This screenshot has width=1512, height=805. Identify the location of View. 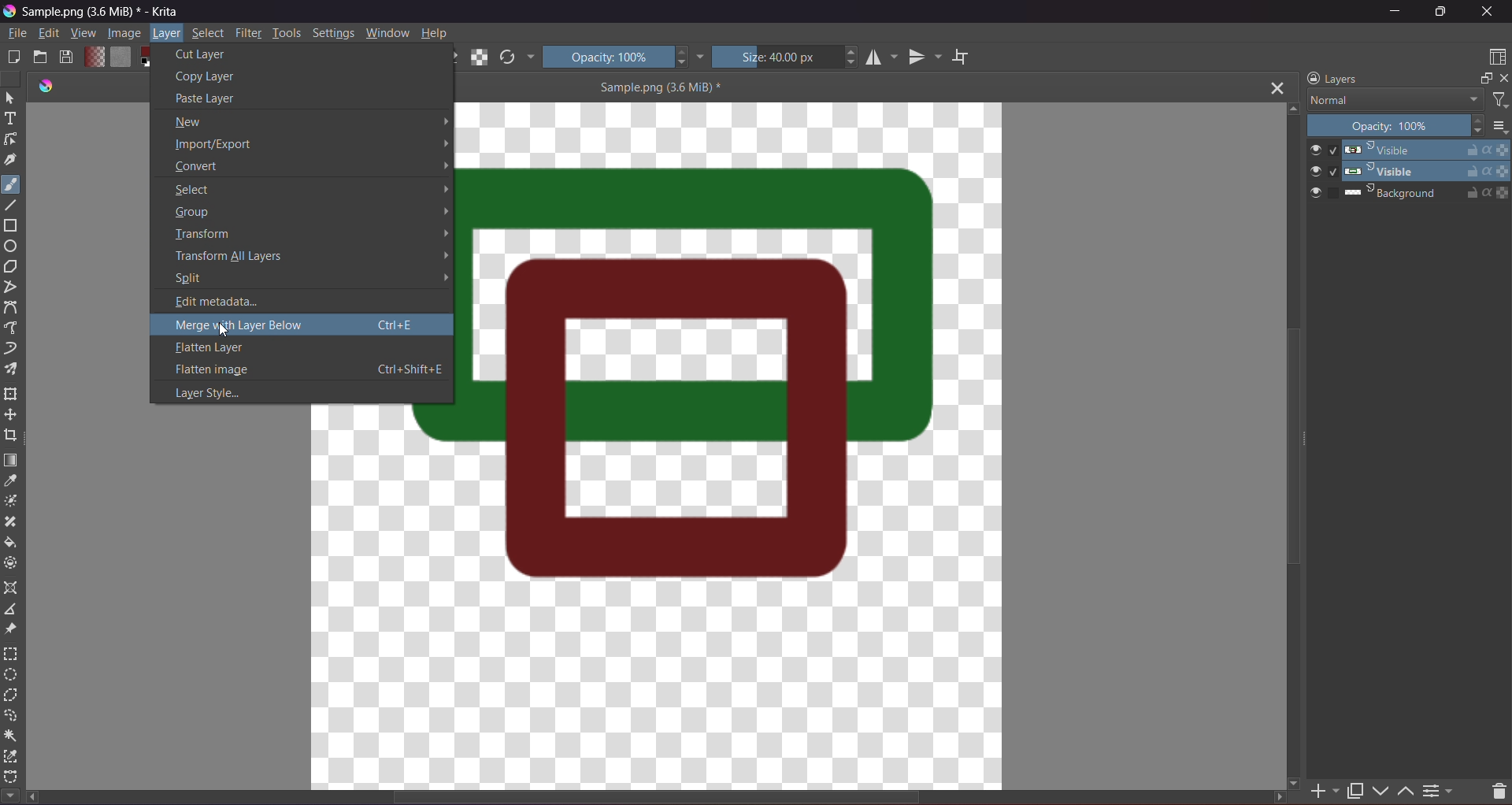
(81, 34).